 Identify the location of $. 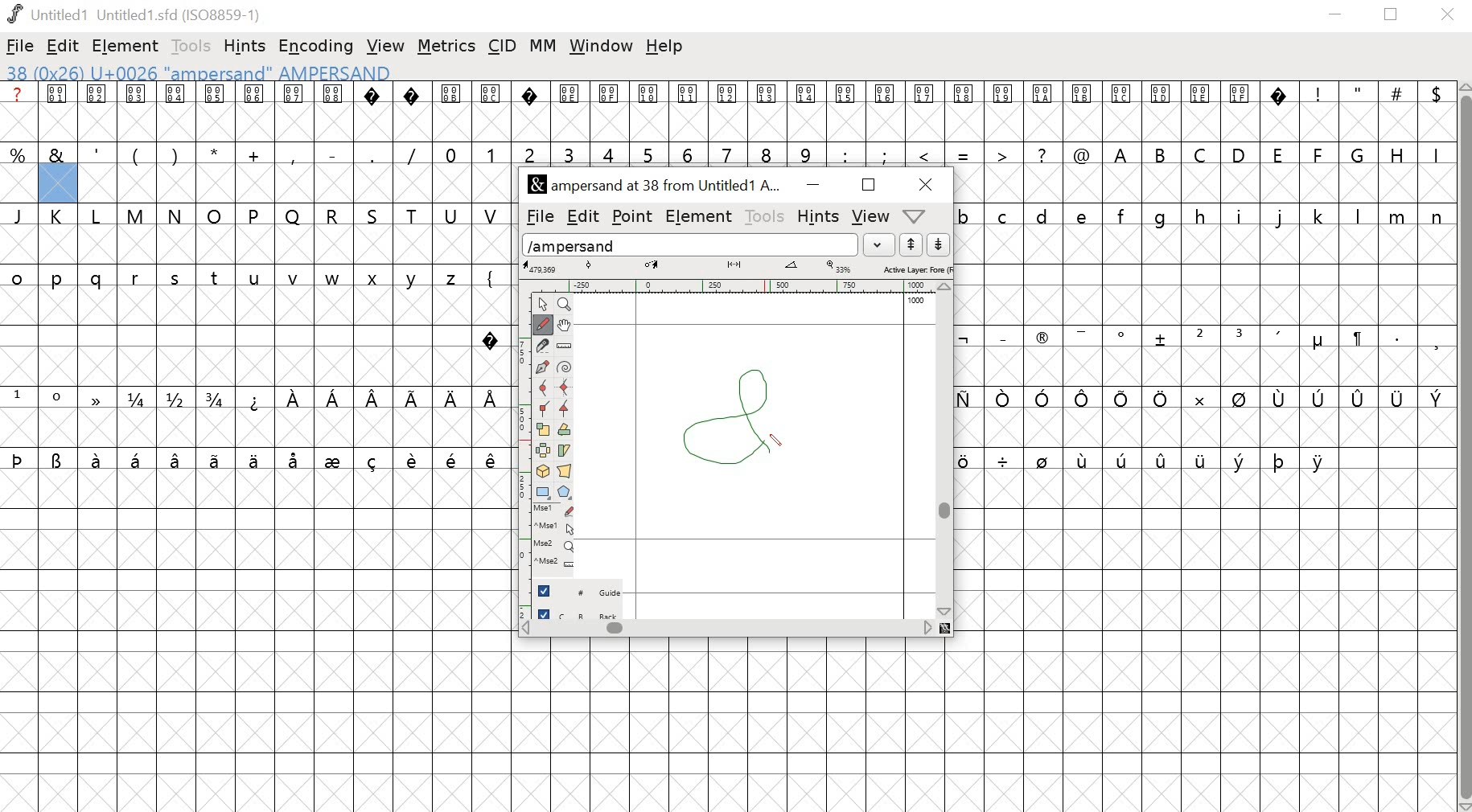
(1434, 112).